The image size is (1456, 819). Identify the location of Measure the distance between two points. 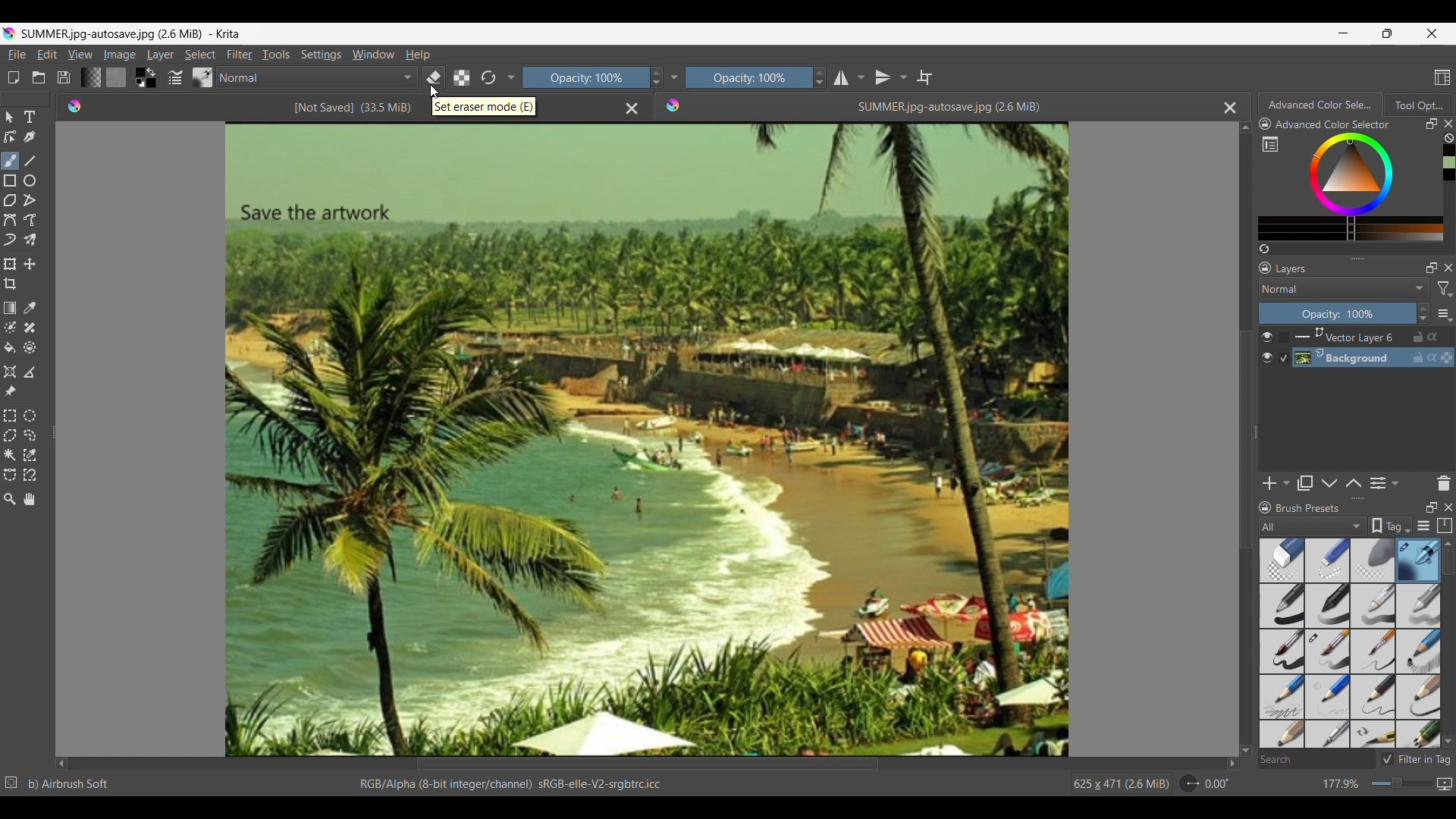
(30, 372).